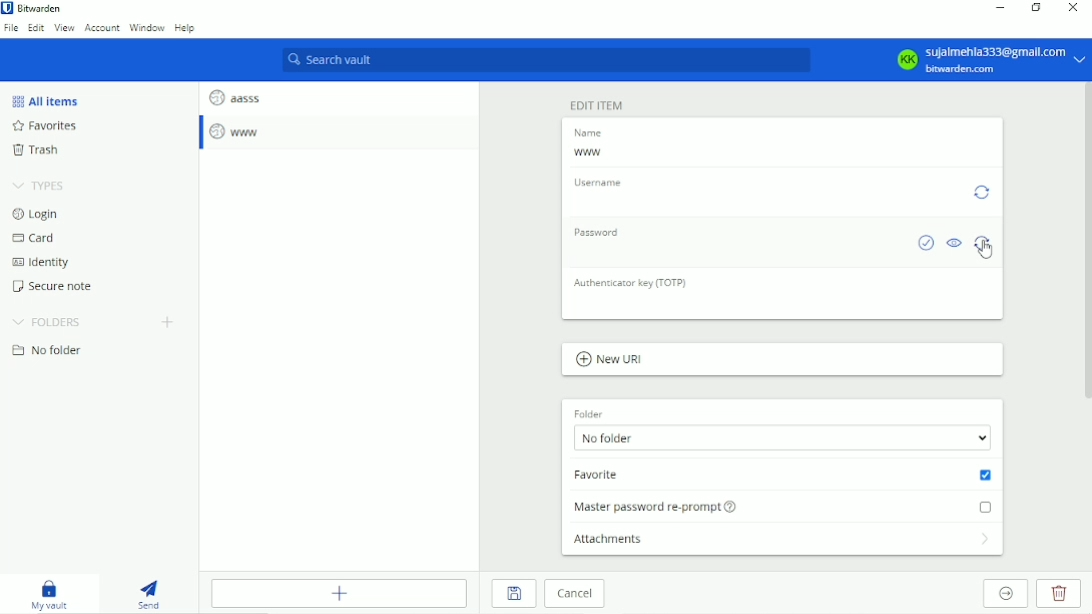  What do you see at coordinates (35, 214) in the screenshot?
I see `Login` at bounding box center [35, 214].